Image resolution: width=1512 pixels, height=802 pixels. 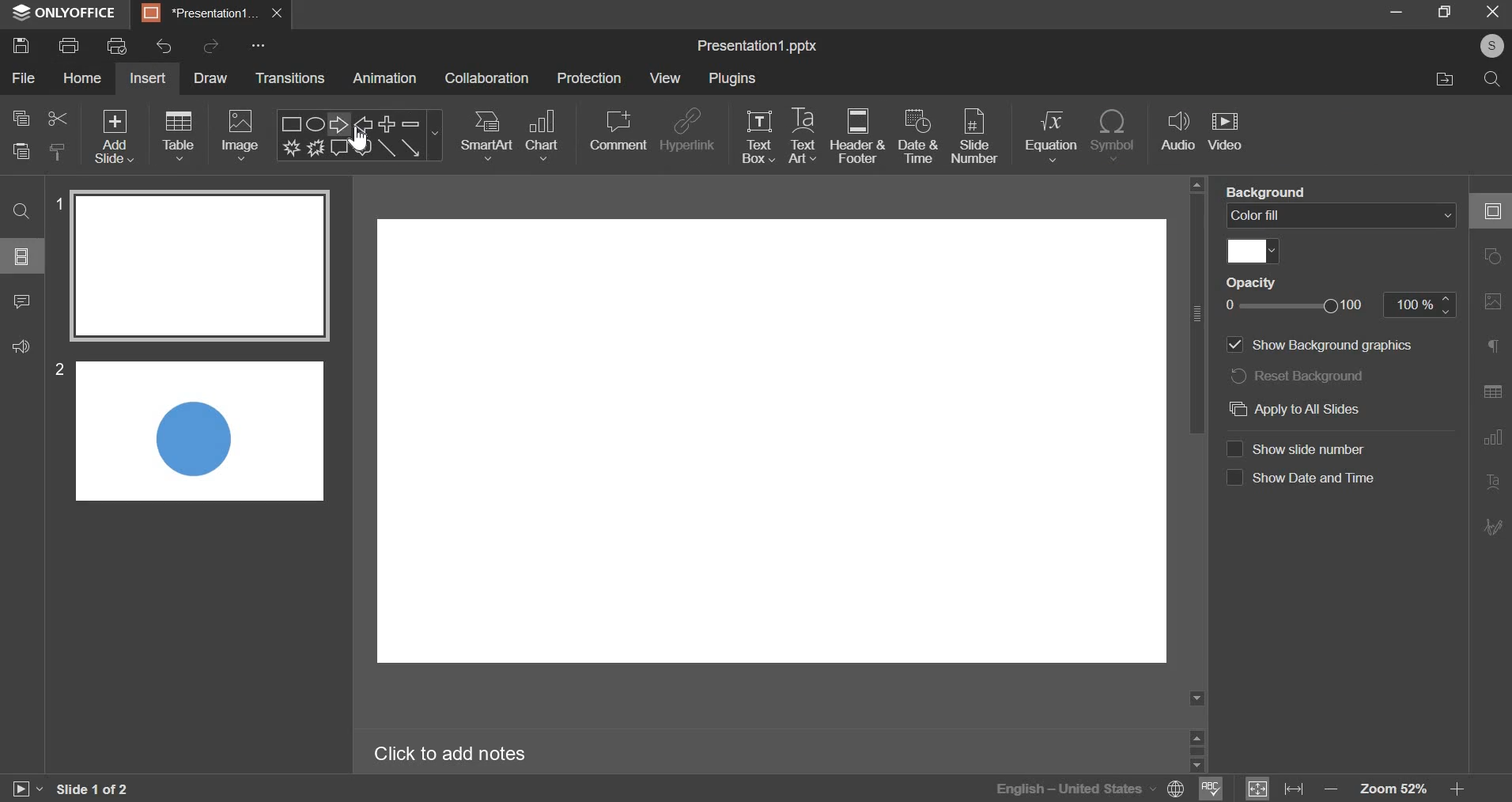 What do you see at coordinates (619, 131) in the screenshot?
I see `comment` at bounding box center [619, 131].